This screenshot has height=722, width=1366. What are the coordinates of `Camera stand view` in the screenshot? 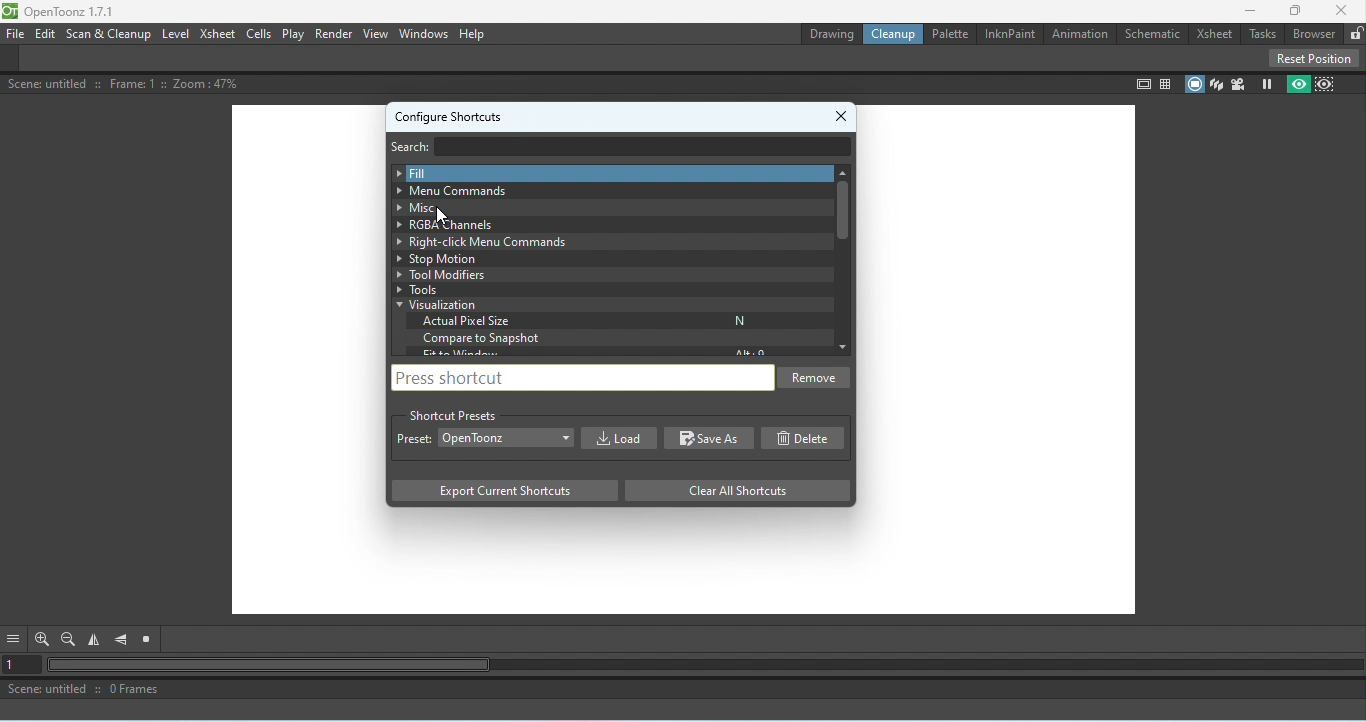 It's located at (1193, 82).